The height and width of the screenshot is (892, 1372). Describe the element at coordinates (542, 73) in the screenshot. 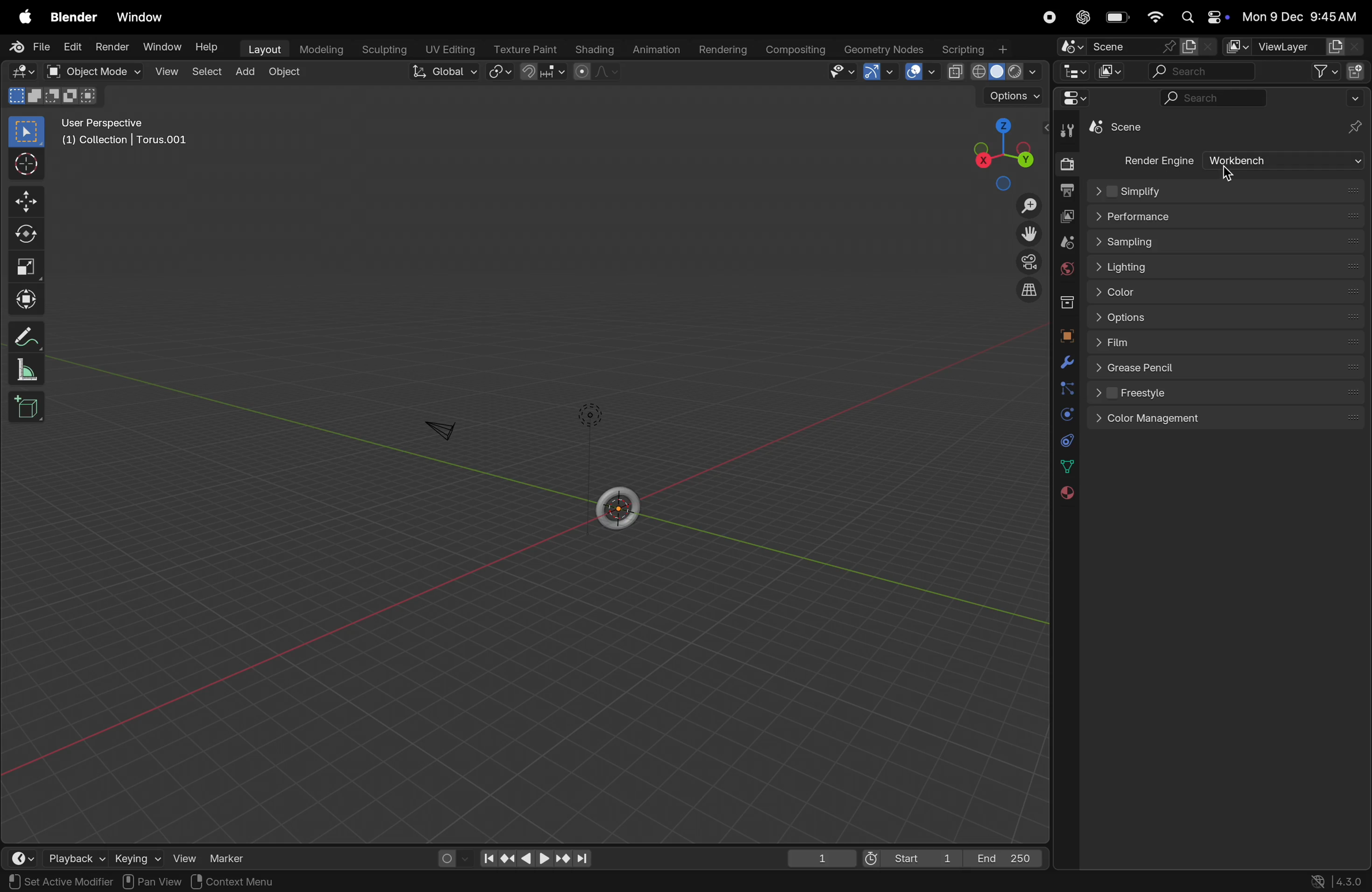

I see `snap` at that location.